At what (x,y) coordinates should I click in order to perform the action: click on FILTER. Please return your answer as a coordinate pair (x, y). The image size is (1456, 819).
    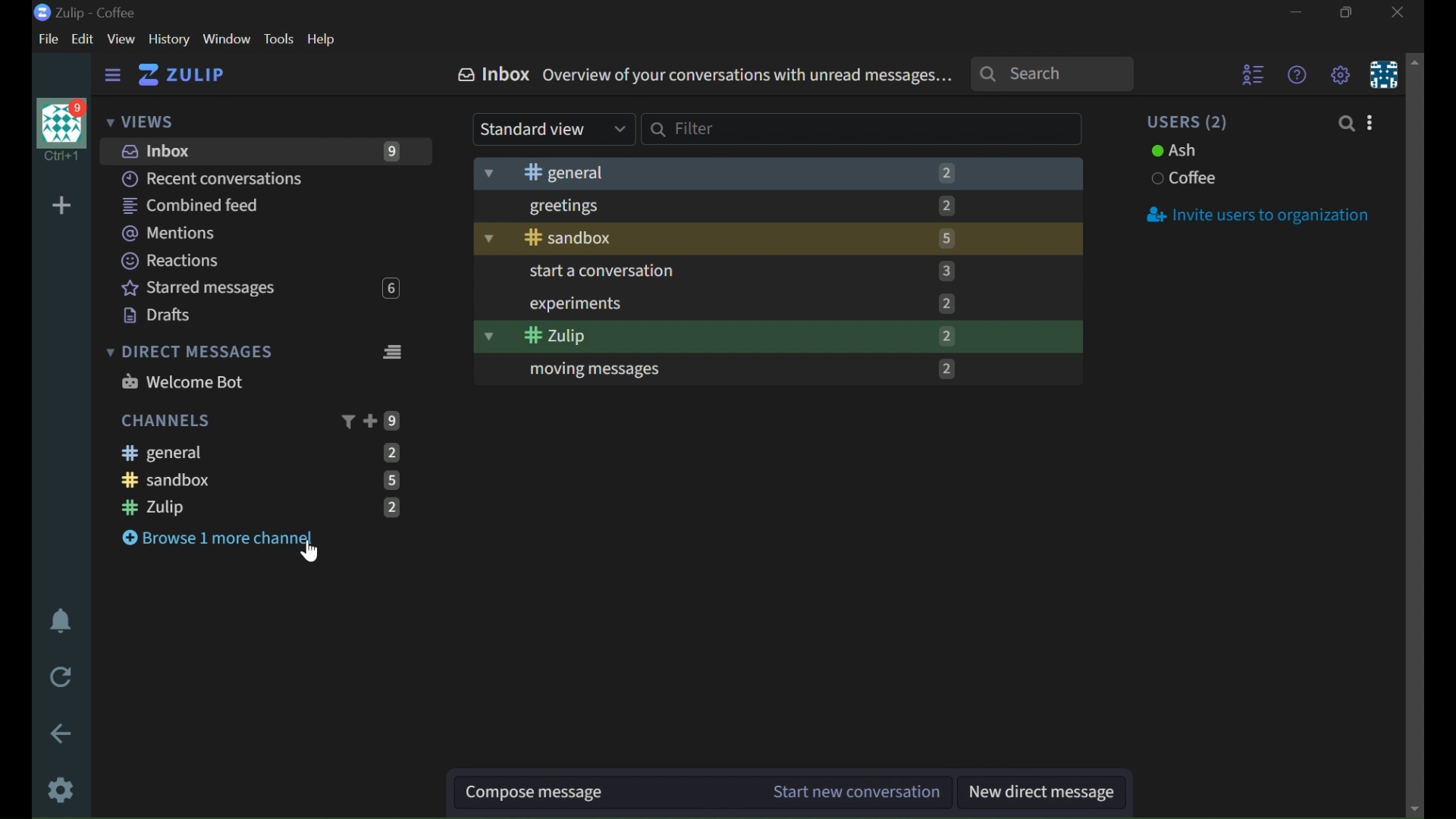
    Looking at the image, I should click on (865, 127).